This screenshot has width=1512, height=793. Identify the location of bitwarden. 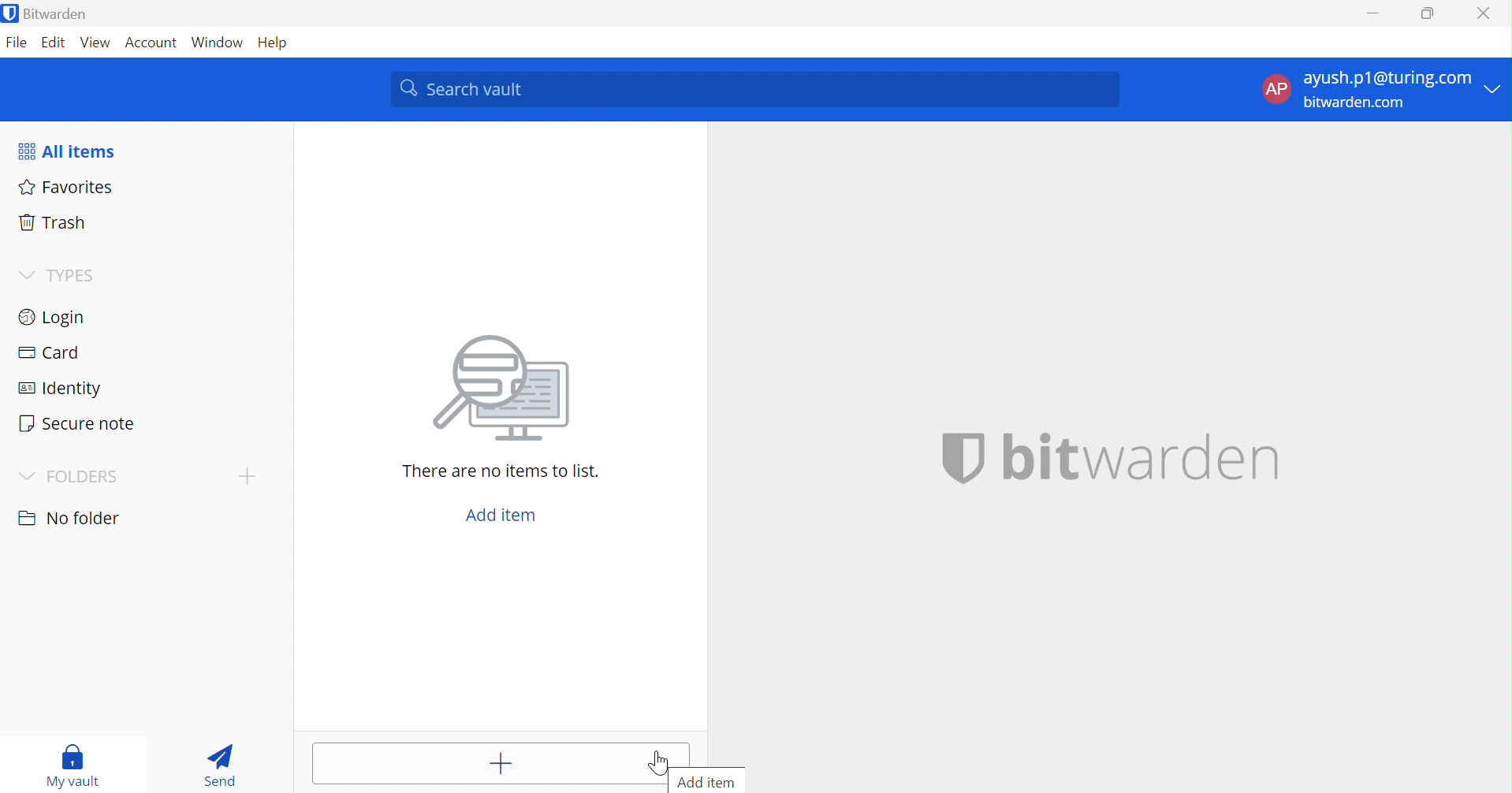
(1112, 460).